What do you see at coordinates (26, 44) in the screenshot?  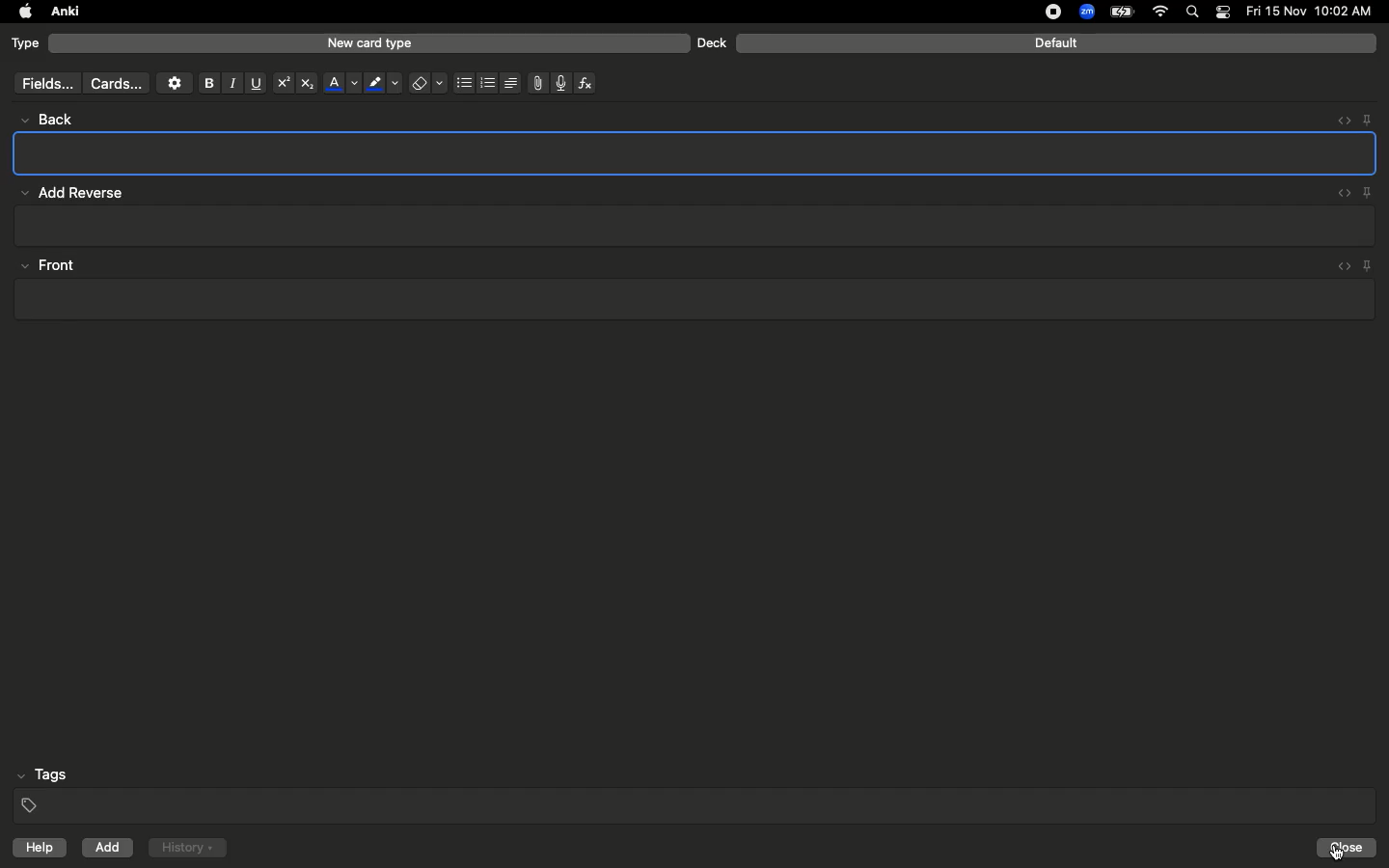 I see `Type` at bounding box center [26, 44].